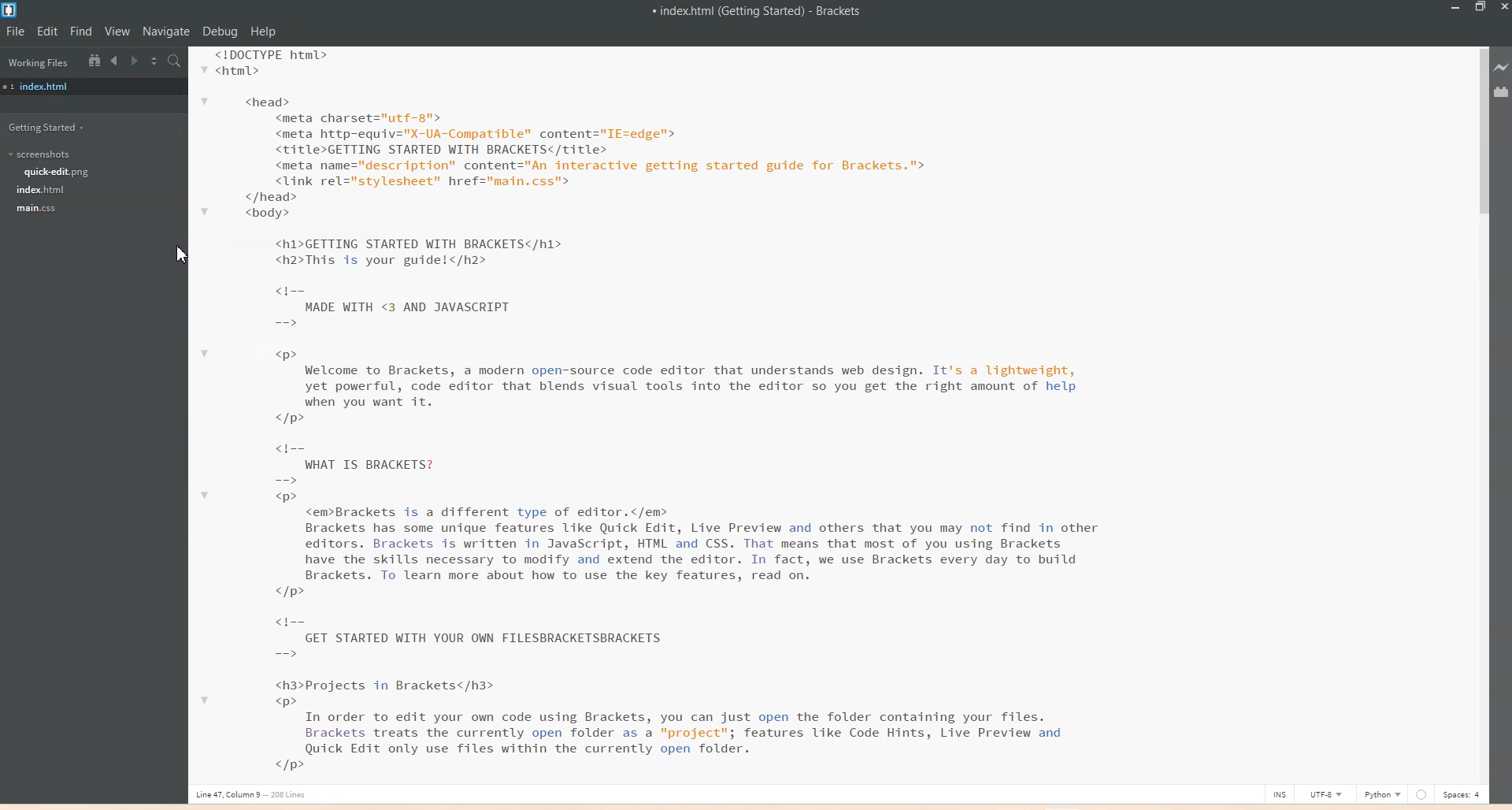 This screenshot has width=1512, height=810. I want to click on Text, so click(758, 13).